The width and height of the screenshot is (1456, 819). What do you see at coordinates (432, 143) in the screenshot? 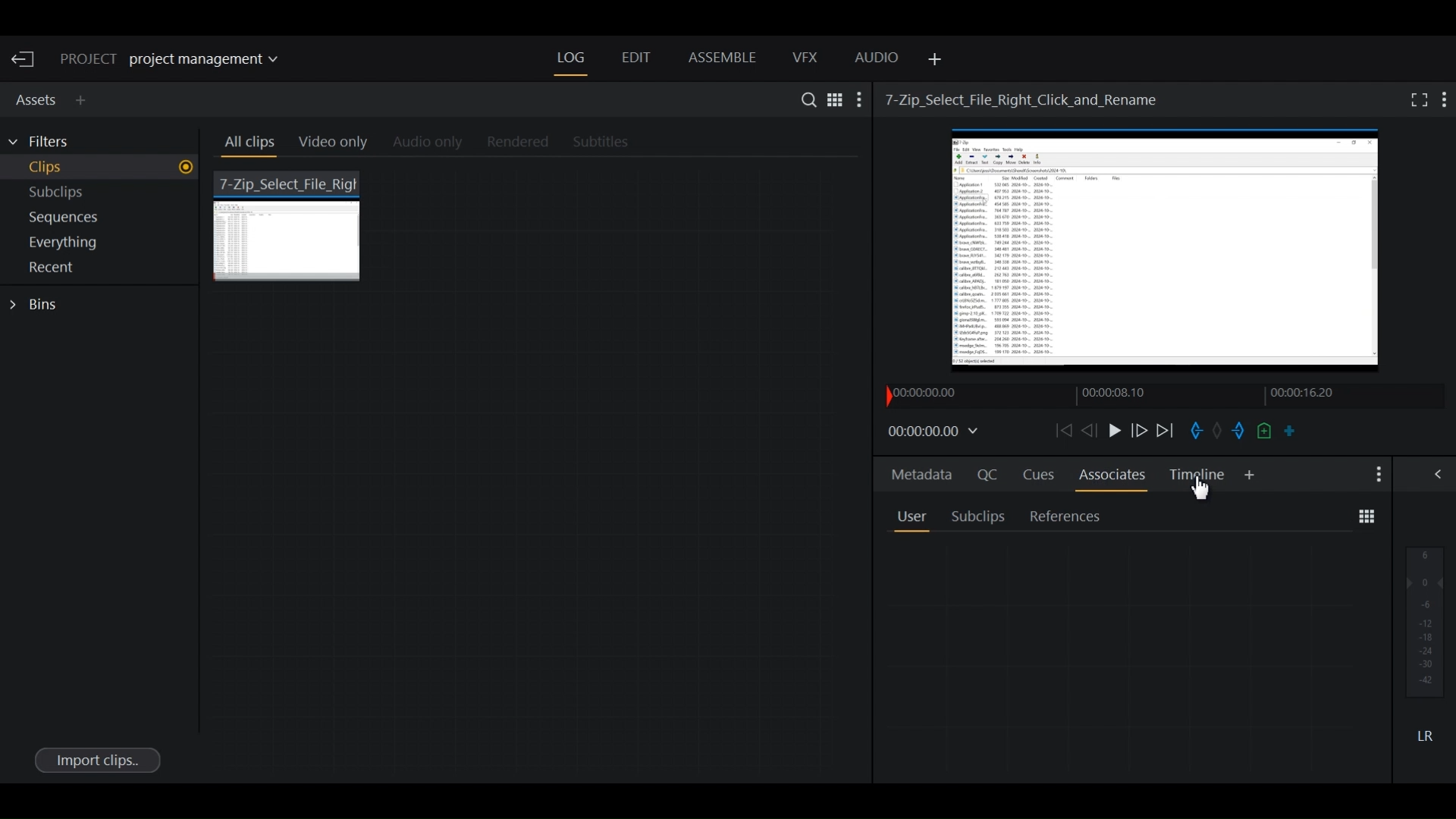
I see `Audio Only` at bounding box center [432, 143].